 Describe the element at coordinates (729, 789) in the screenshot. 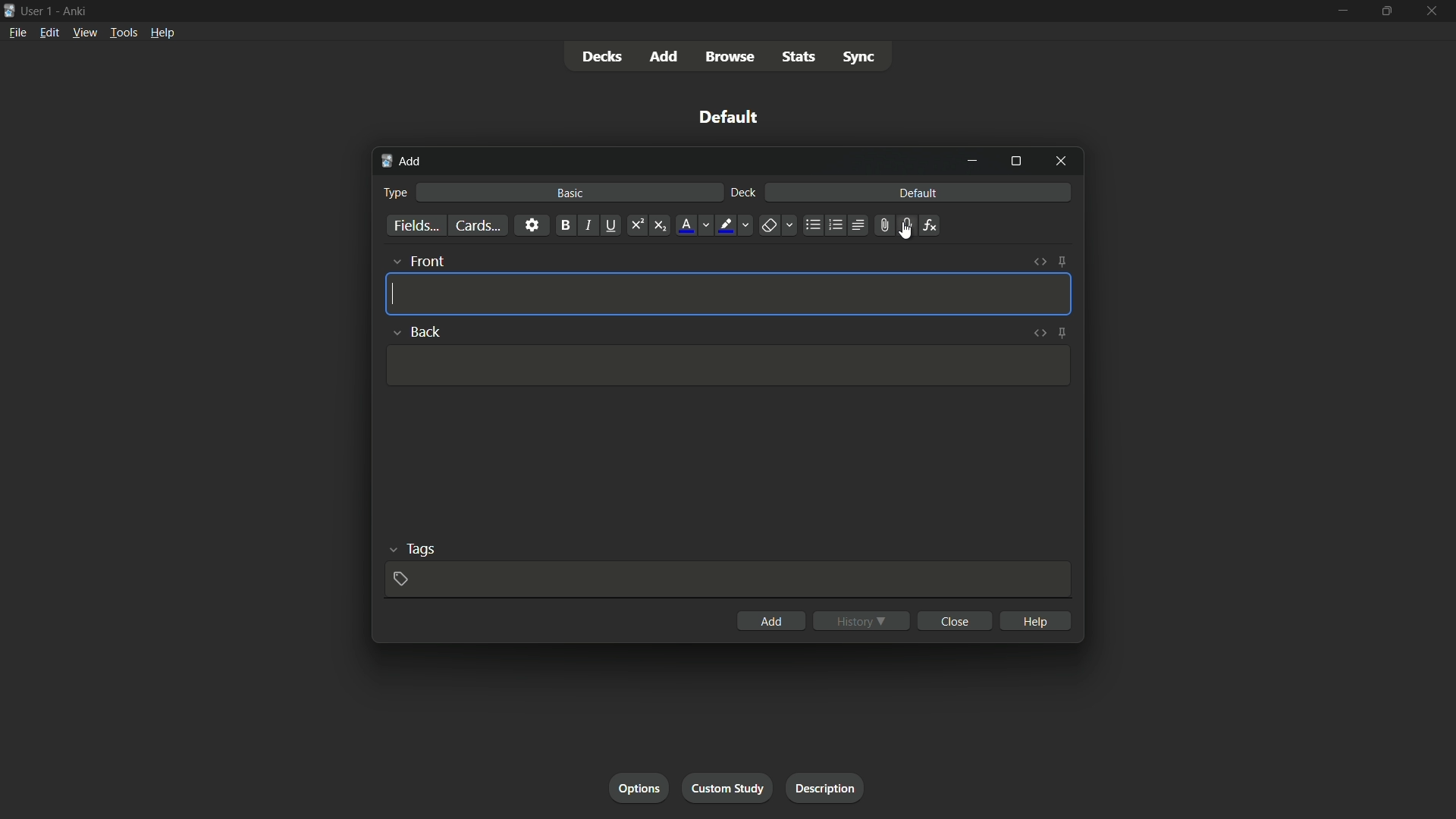

I see `custom study` at that location.